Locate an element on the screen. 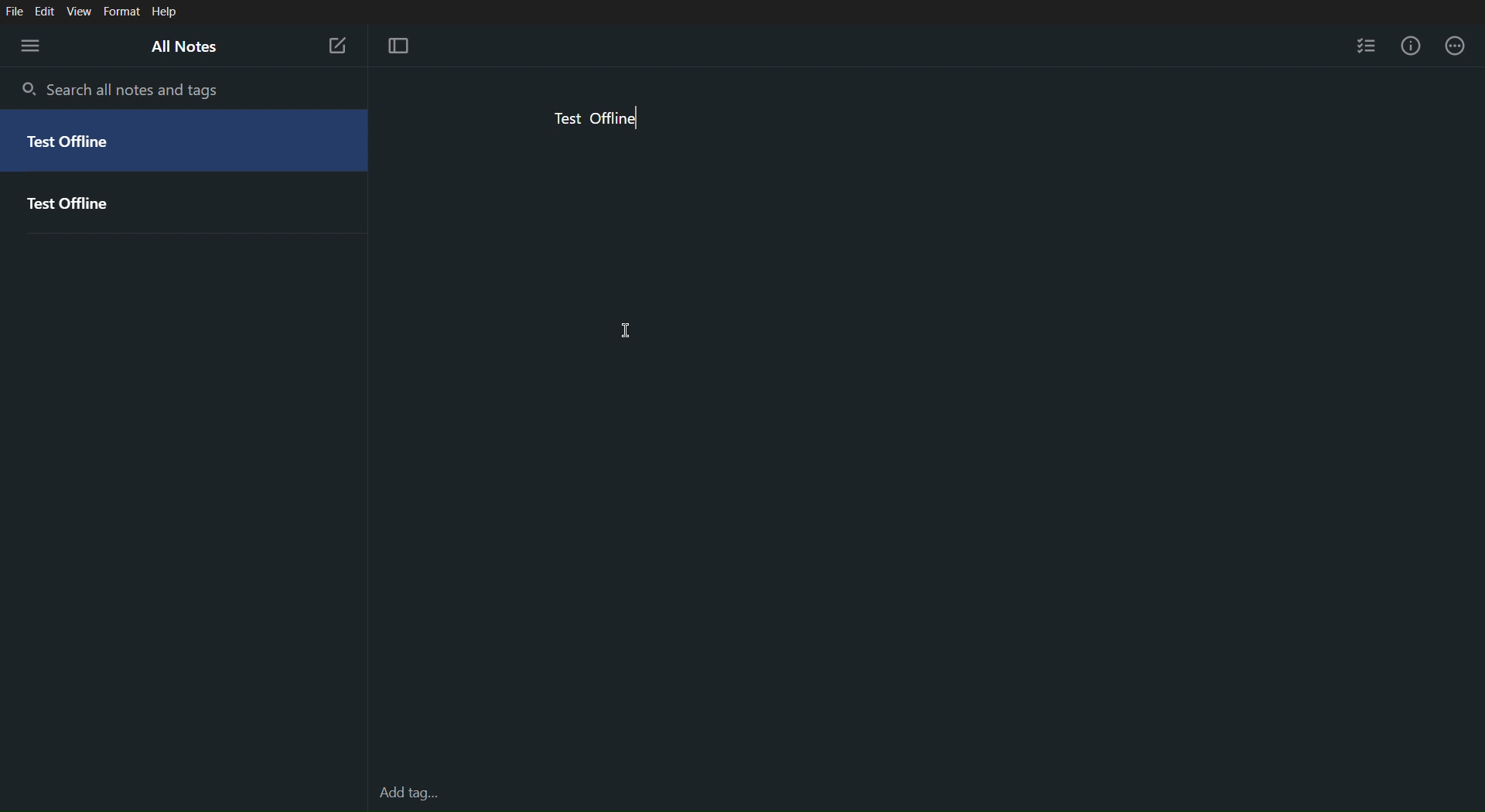 This screenshot has width=1485, height=812. Test Offline is located at coordinates (186, 200).